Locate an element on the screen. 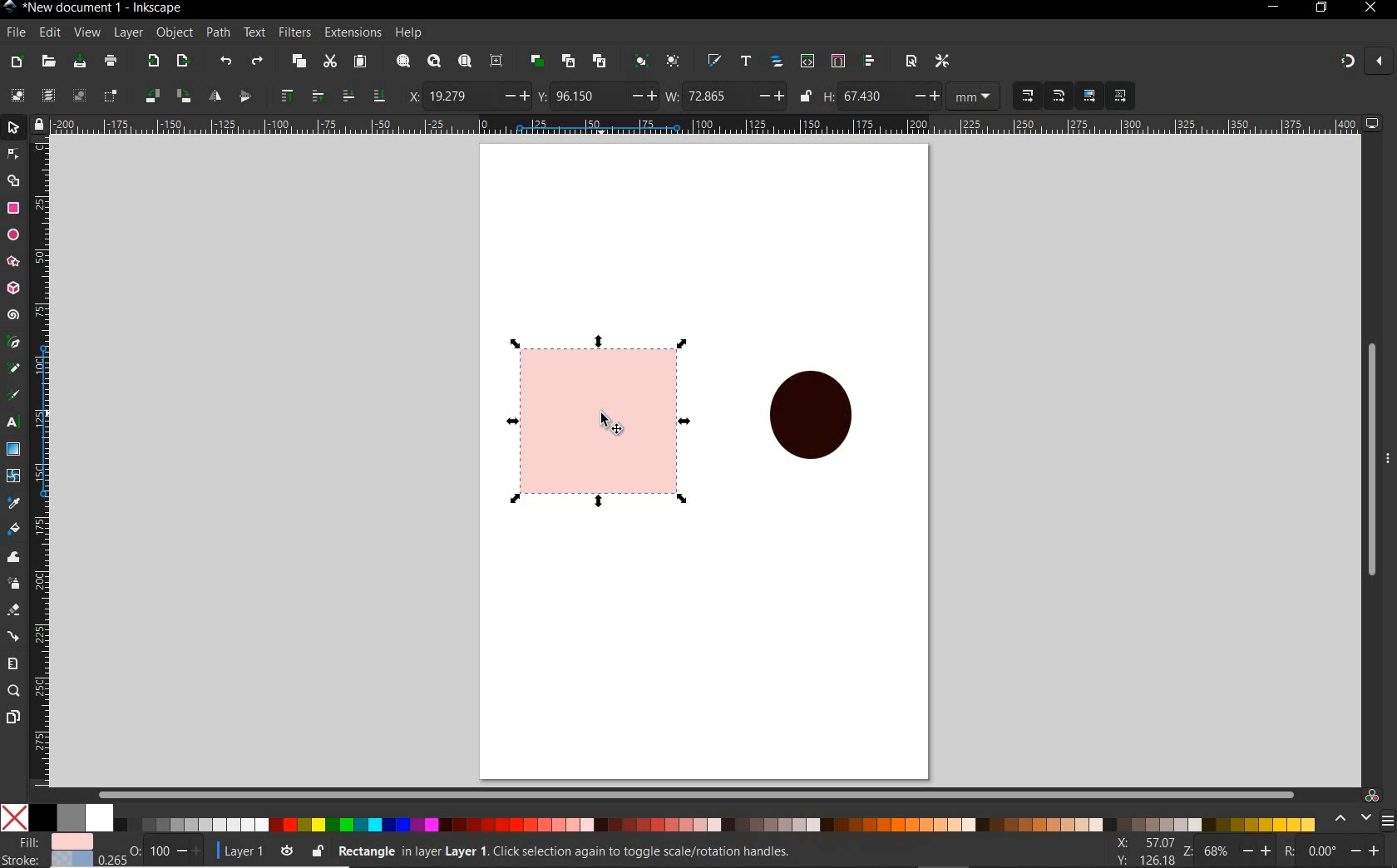 The width and height of the screenshot is (1397, 868). filters is located at coordinates (294, 33).